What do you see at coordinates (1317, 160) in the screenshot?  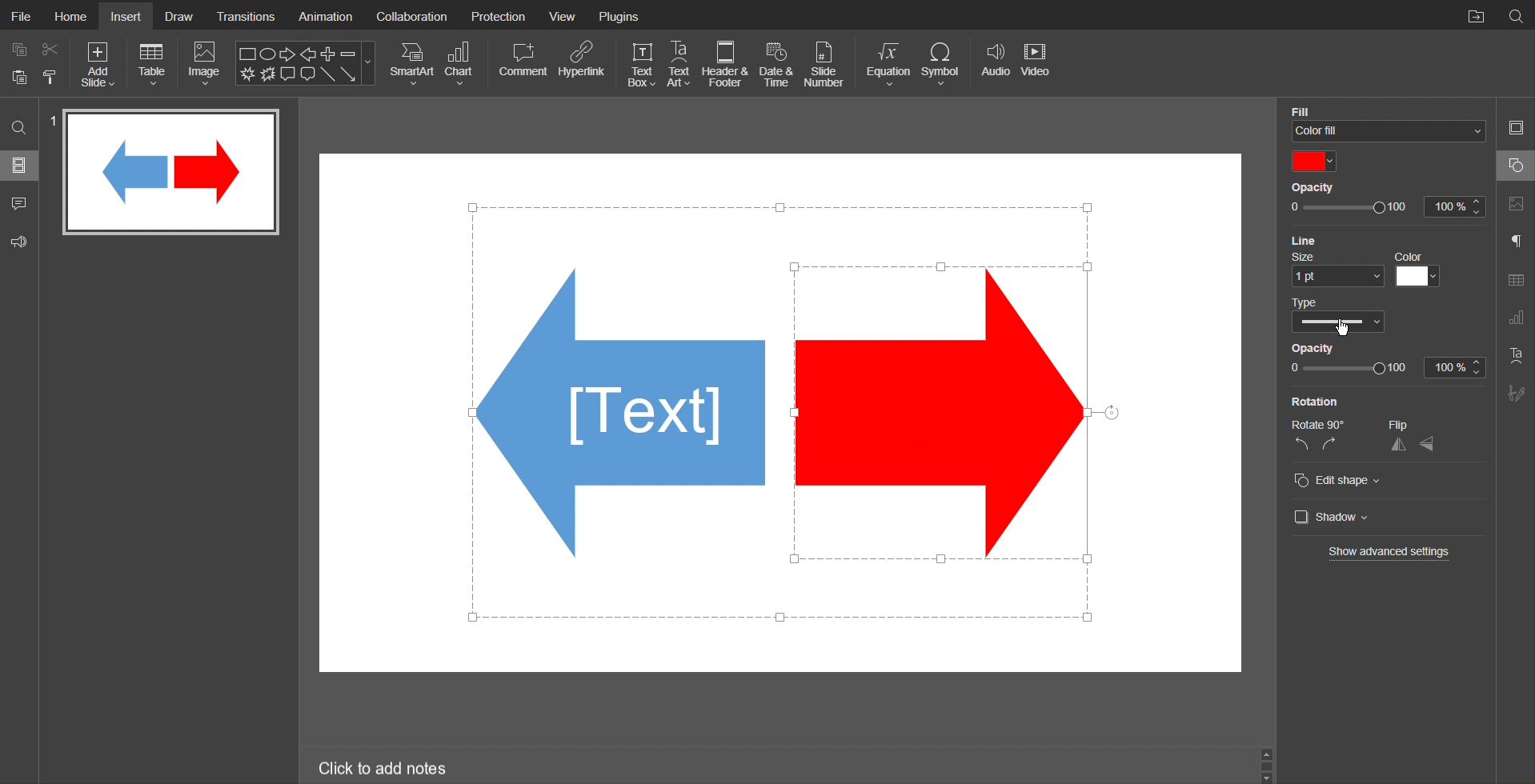 I see `Color` at bounding box center [1317, 160].